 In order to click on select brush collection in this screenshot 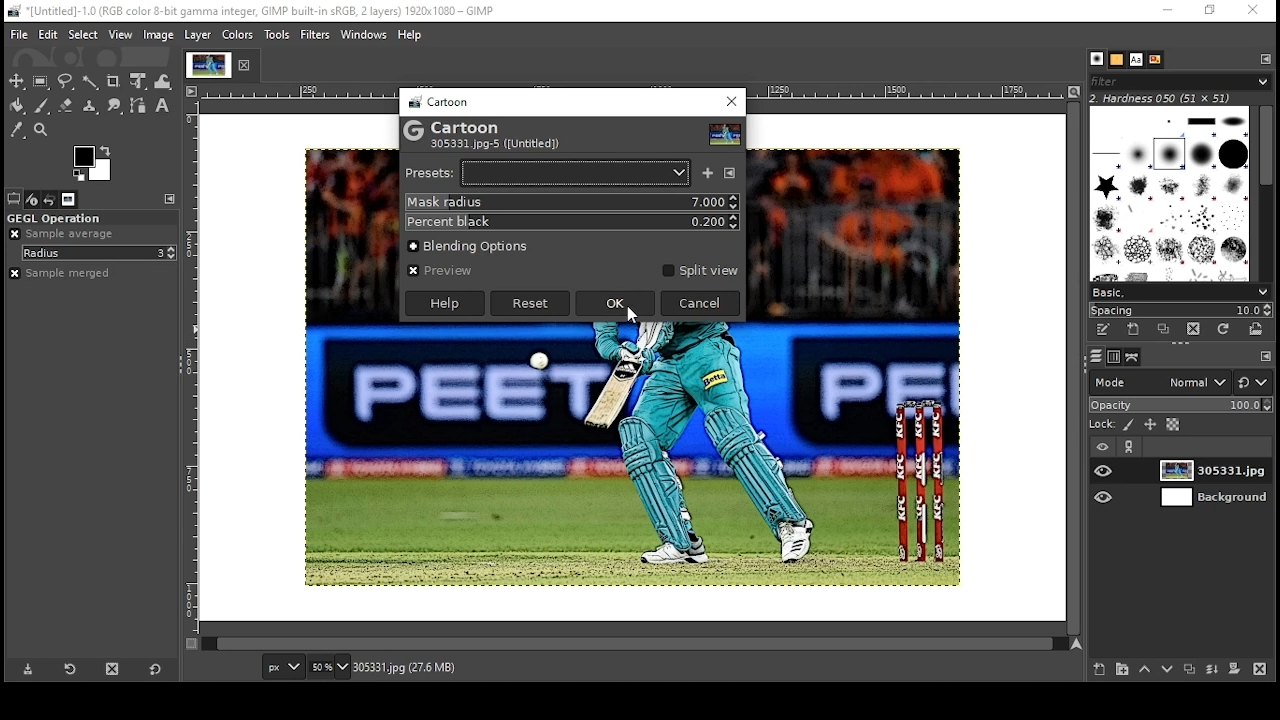, I will do `click(1178, 292)`.